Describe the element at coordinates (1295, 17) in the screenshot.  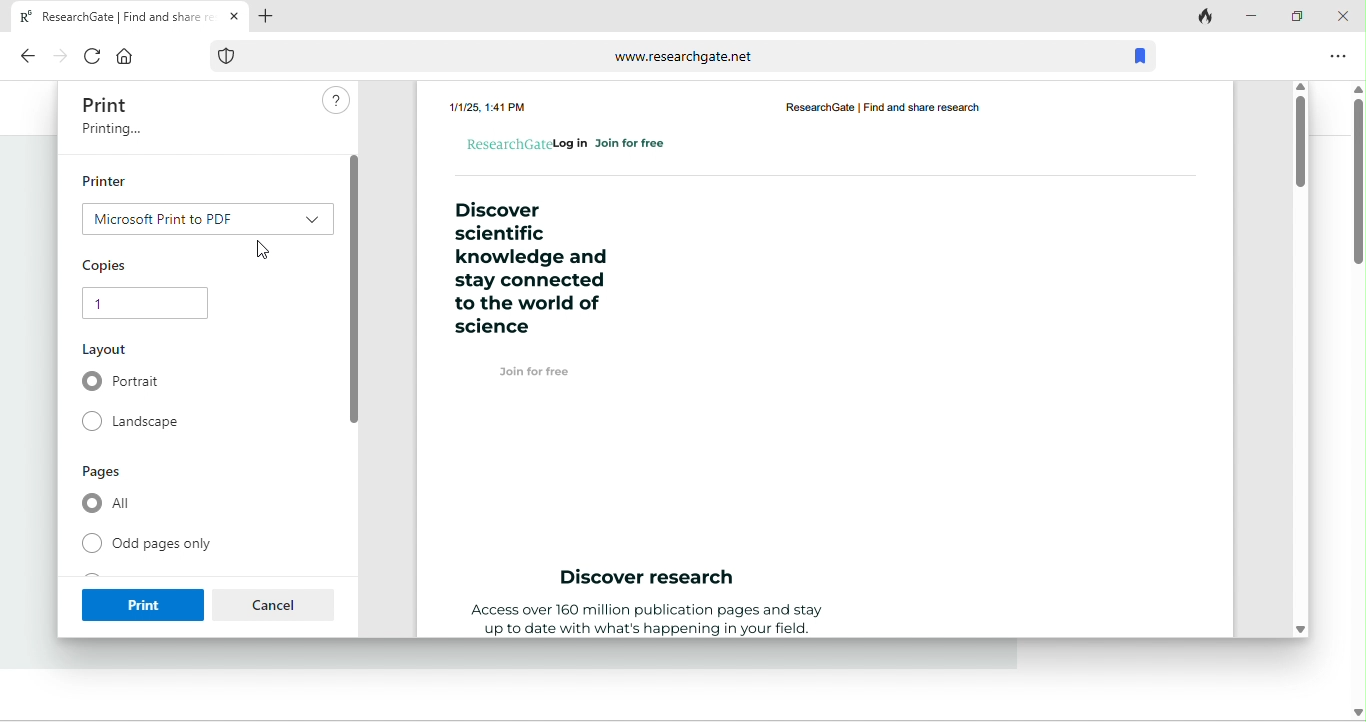
I see `maximize` at that location.